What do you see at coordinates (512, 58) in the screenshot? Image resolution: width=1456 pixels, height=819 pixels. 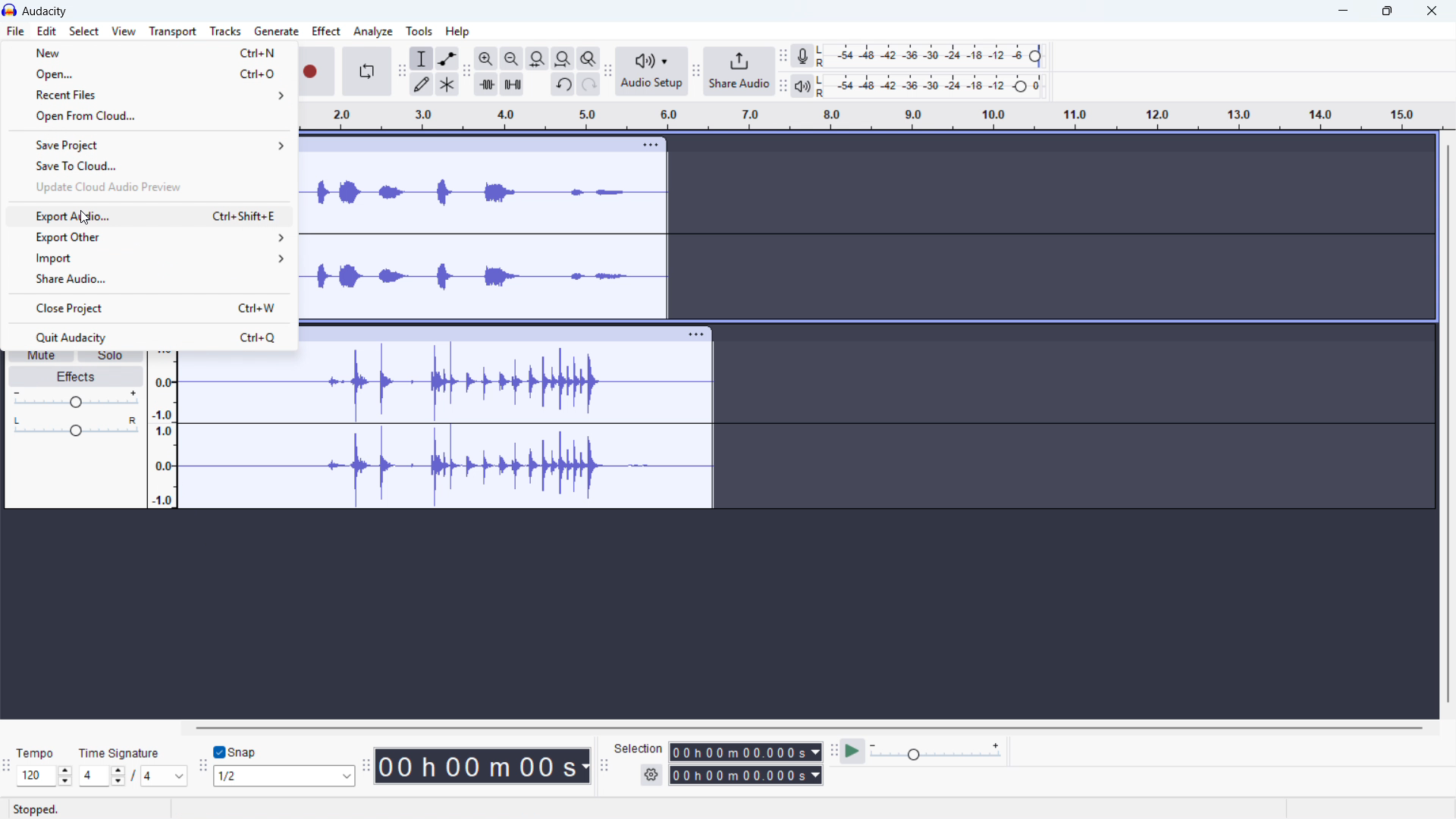 I see `Zoom out` at bounding box center [512, 58].